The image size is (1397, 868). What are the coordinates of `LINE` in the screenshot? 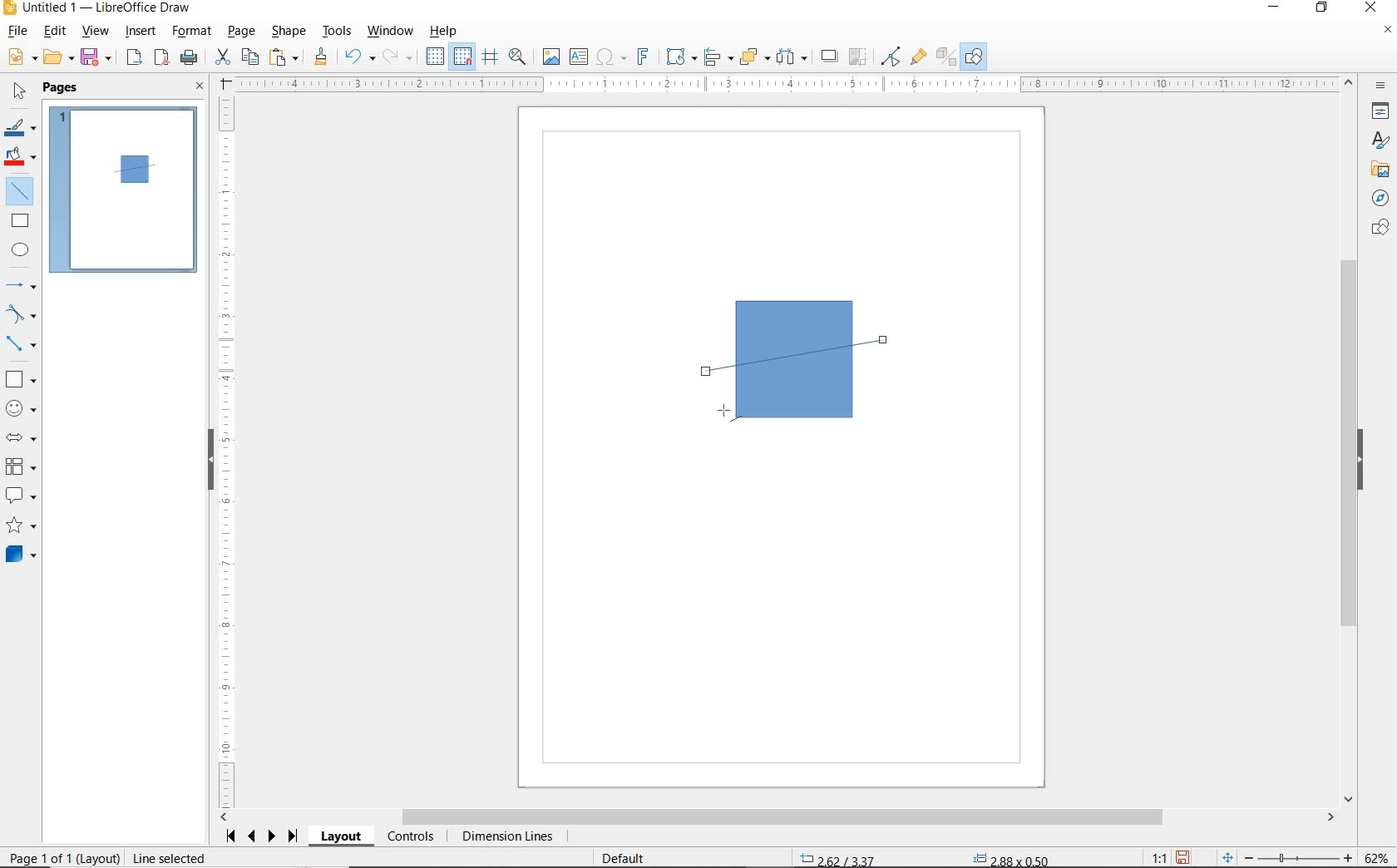 It's located at (811, 357).